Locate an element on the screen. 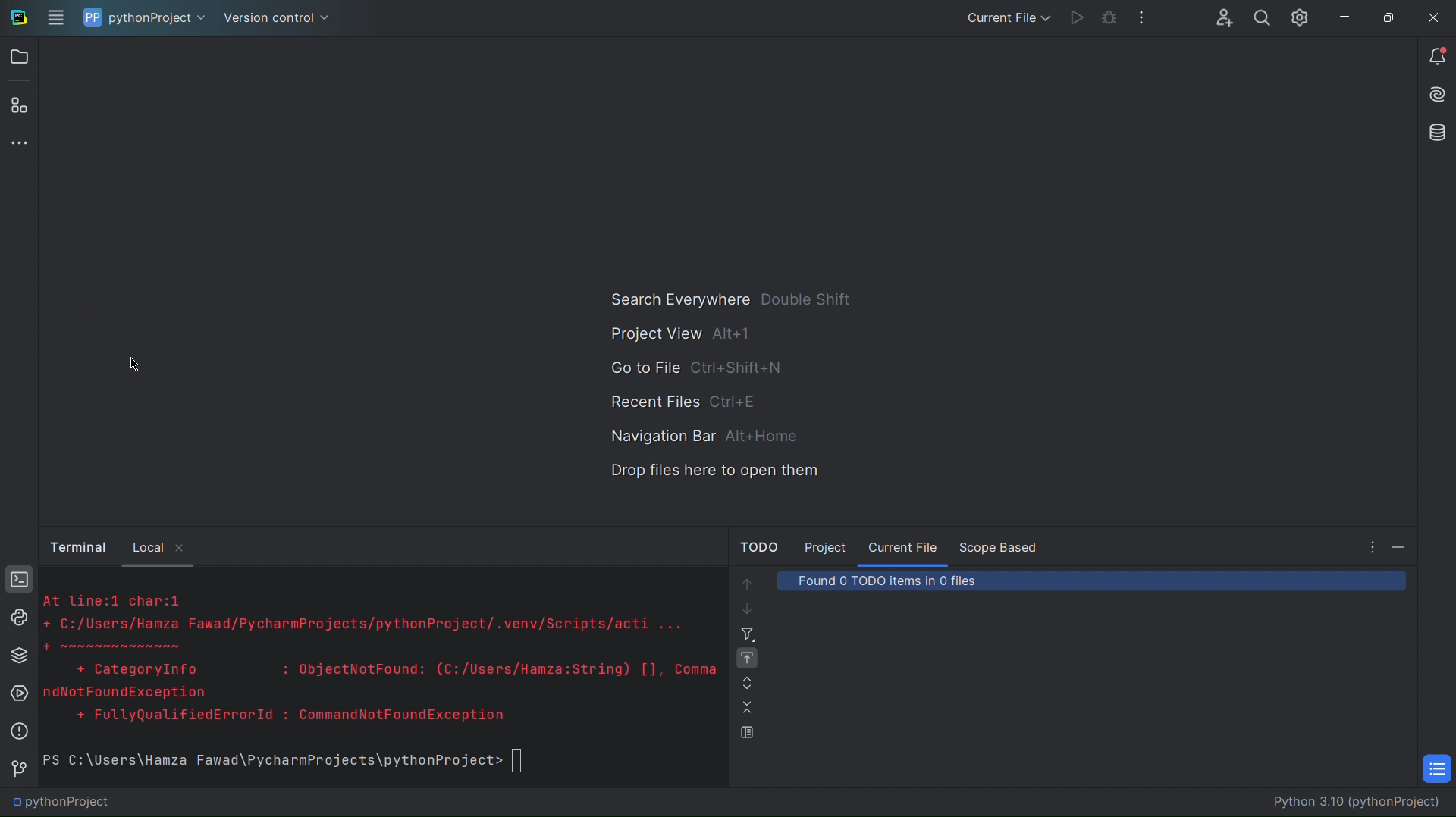 The height and width of the screenshot is (817, 1456). Problems is located at coordinates (14, 734).